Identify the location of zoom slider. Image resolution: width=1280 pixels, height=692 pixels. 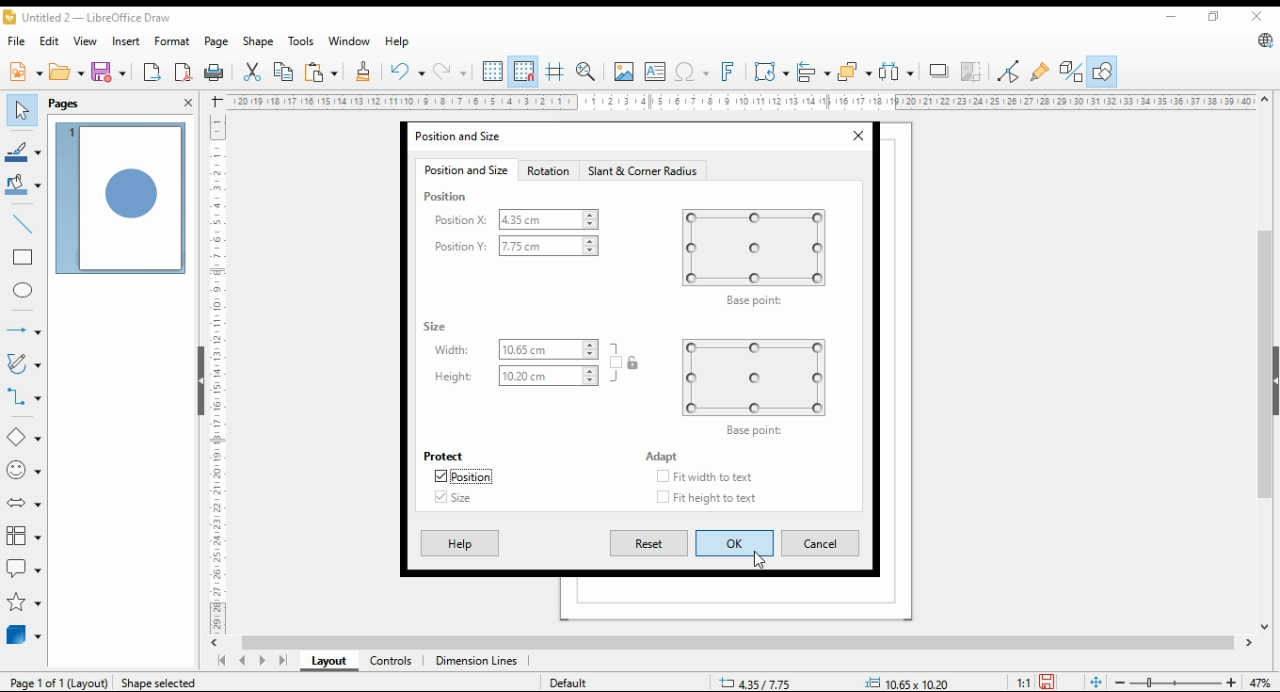
(1176, 681).